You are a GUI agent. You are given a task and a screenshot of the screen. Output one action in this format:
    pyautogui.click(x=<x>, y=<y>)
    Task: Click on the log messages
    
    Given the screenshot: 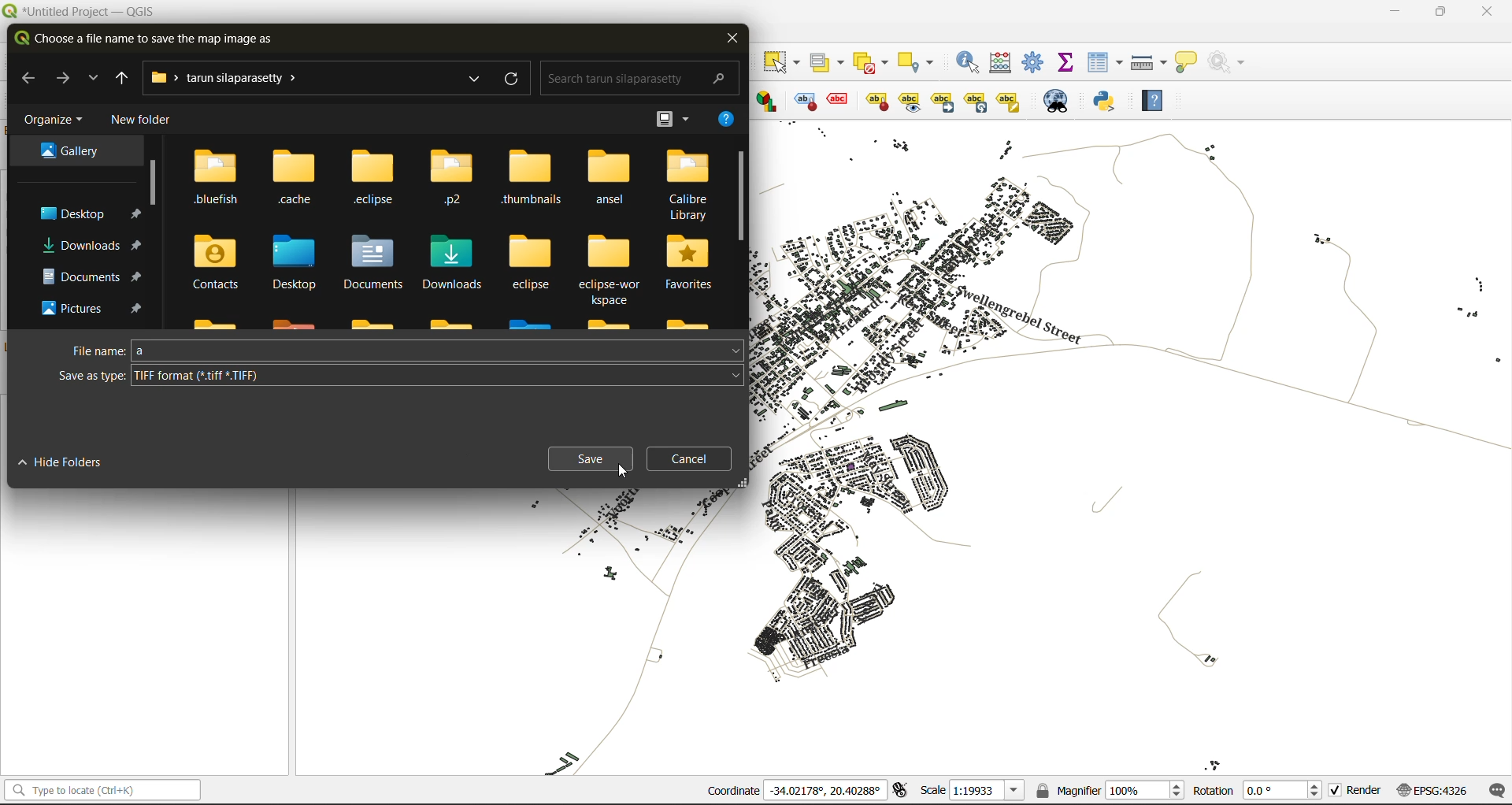 What is the action you would take?
    pyautogui.click(x=1494, y=788)
    